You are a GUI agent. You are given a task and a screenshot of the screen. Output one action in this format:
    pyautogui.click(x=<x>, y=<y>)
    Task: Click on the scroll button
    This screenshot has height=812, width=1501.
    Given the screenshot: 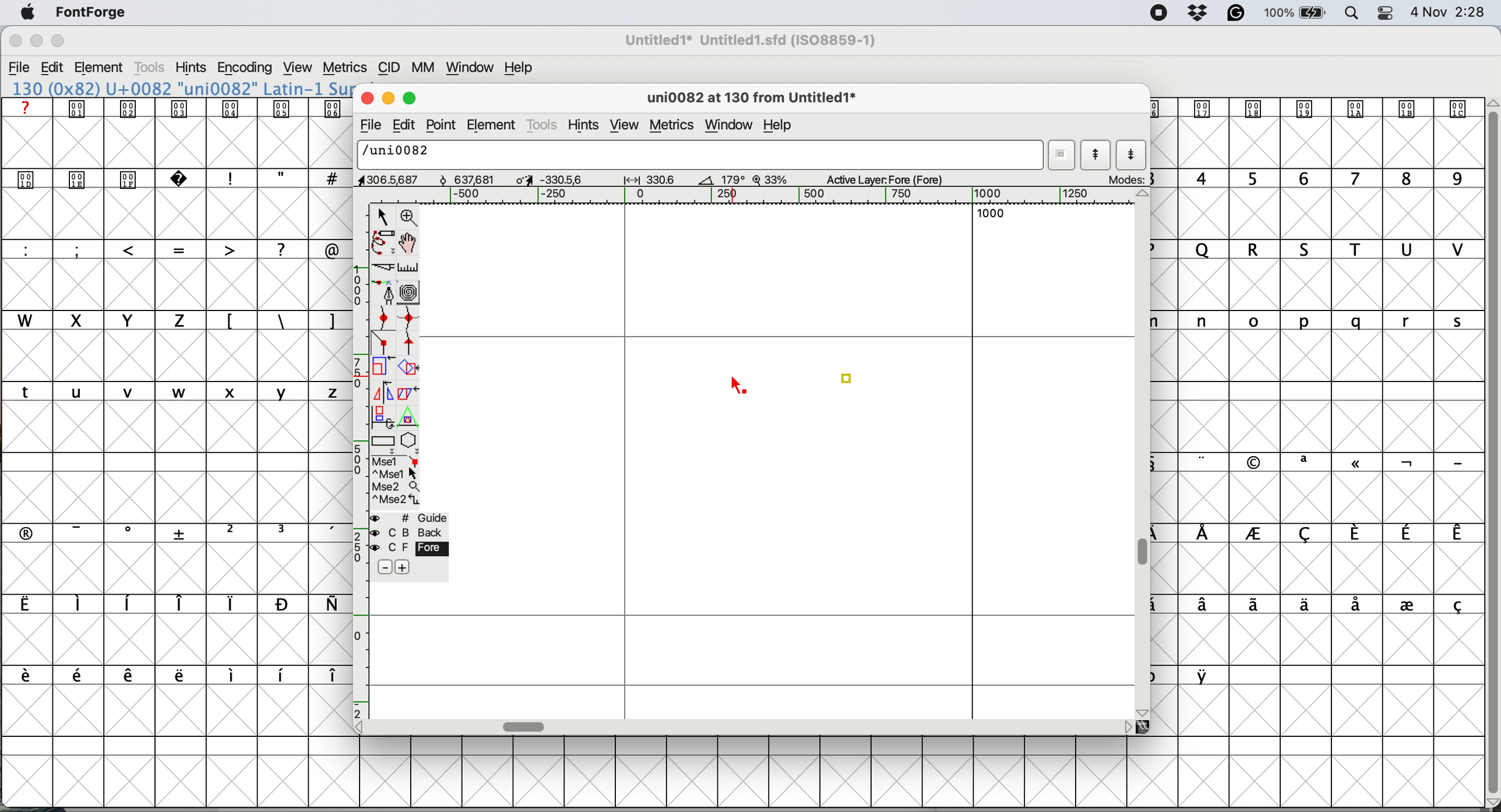 What is the action you would take?
    pyautogui.click(x=364, y=726)
    